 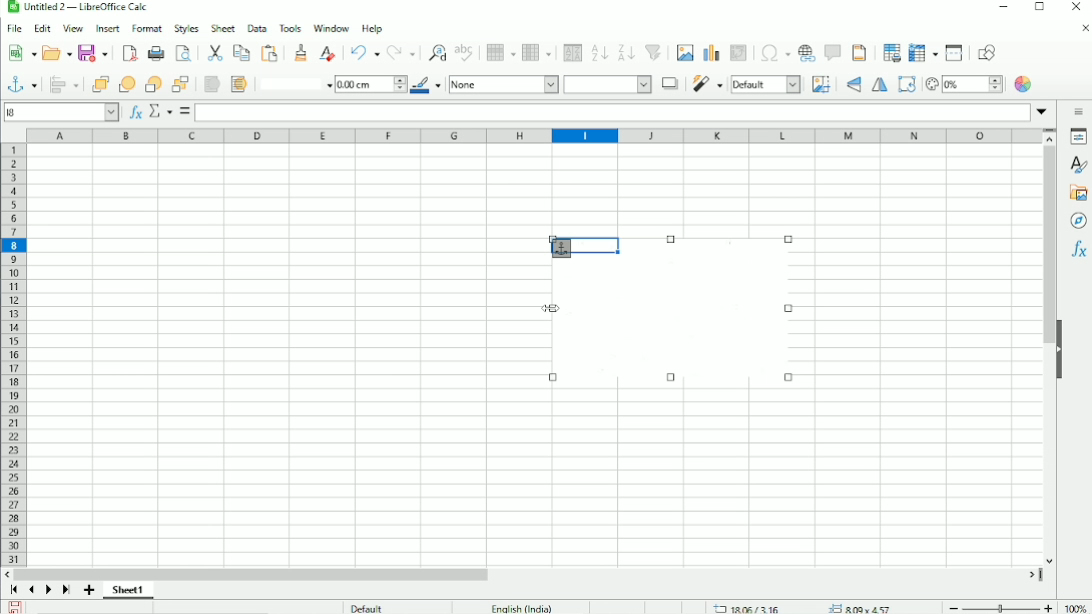 I want to click on Autofilter, so click(x=654, y=53).